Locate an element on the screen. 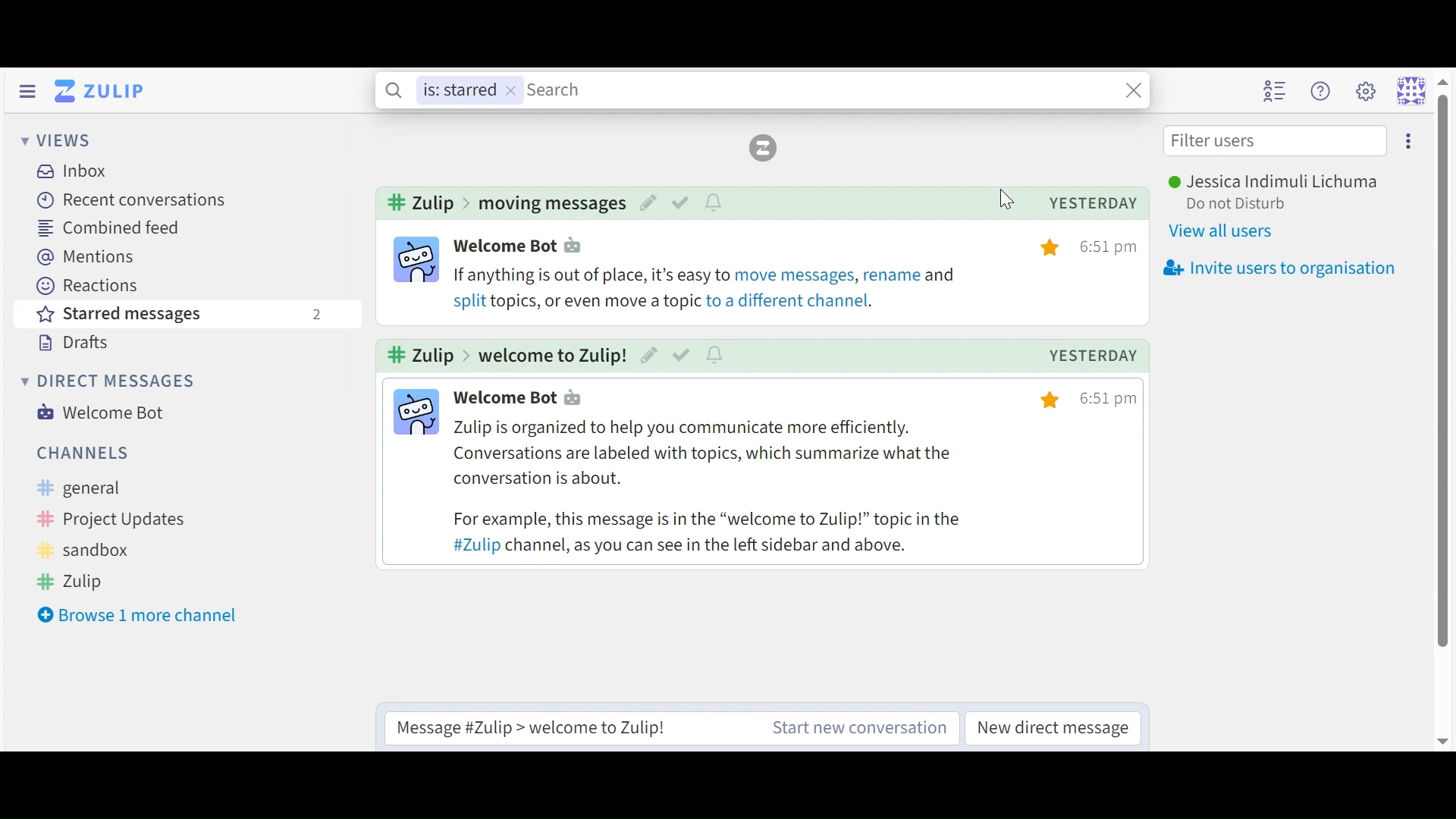 The width and height of the screenshot is (1456, 819). user profile is located at coordinates (522, 246).